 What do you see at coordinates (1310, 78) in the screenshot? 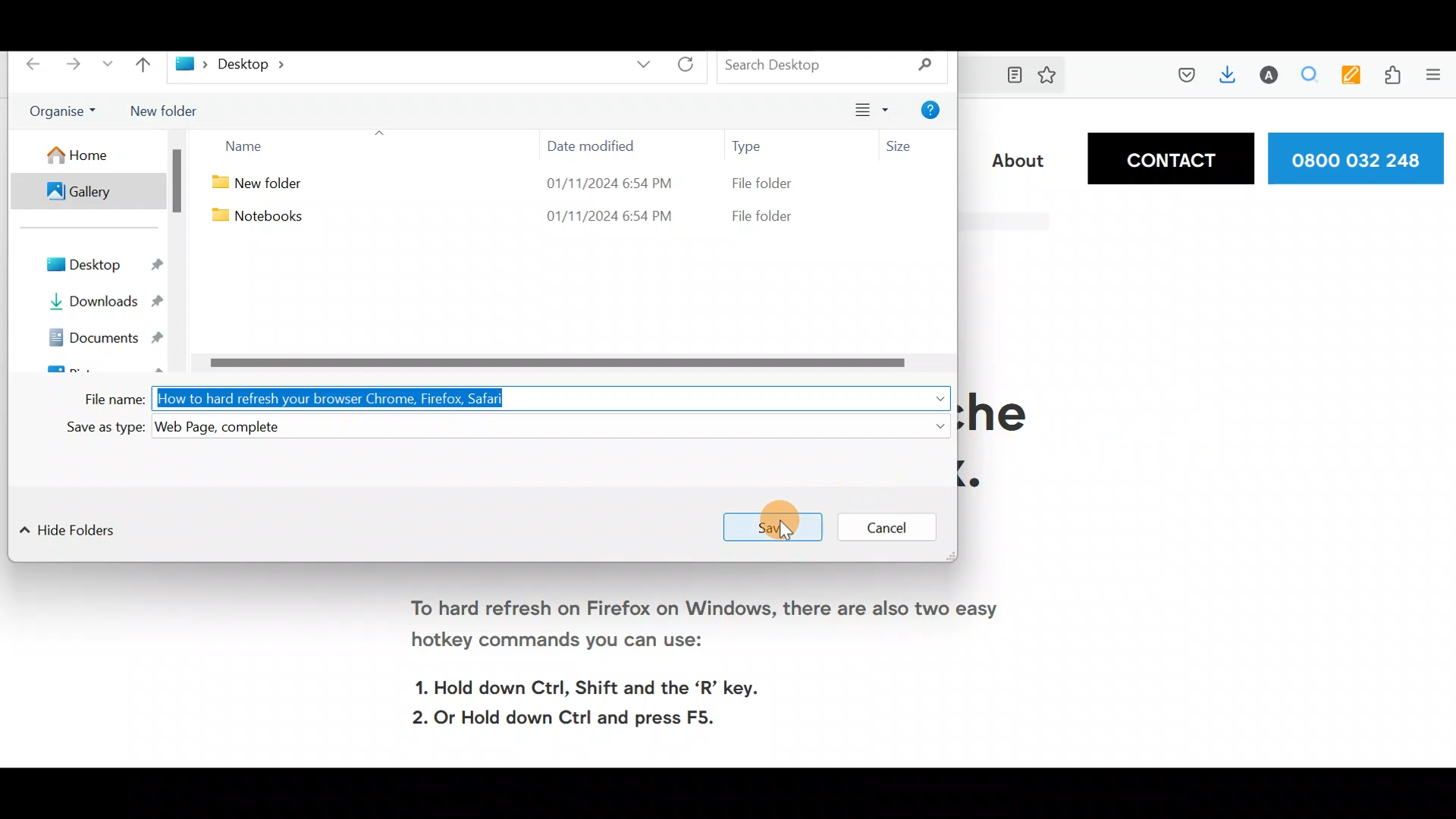
I see `Multiple search & highlight` at bounding box center [1310, 78].